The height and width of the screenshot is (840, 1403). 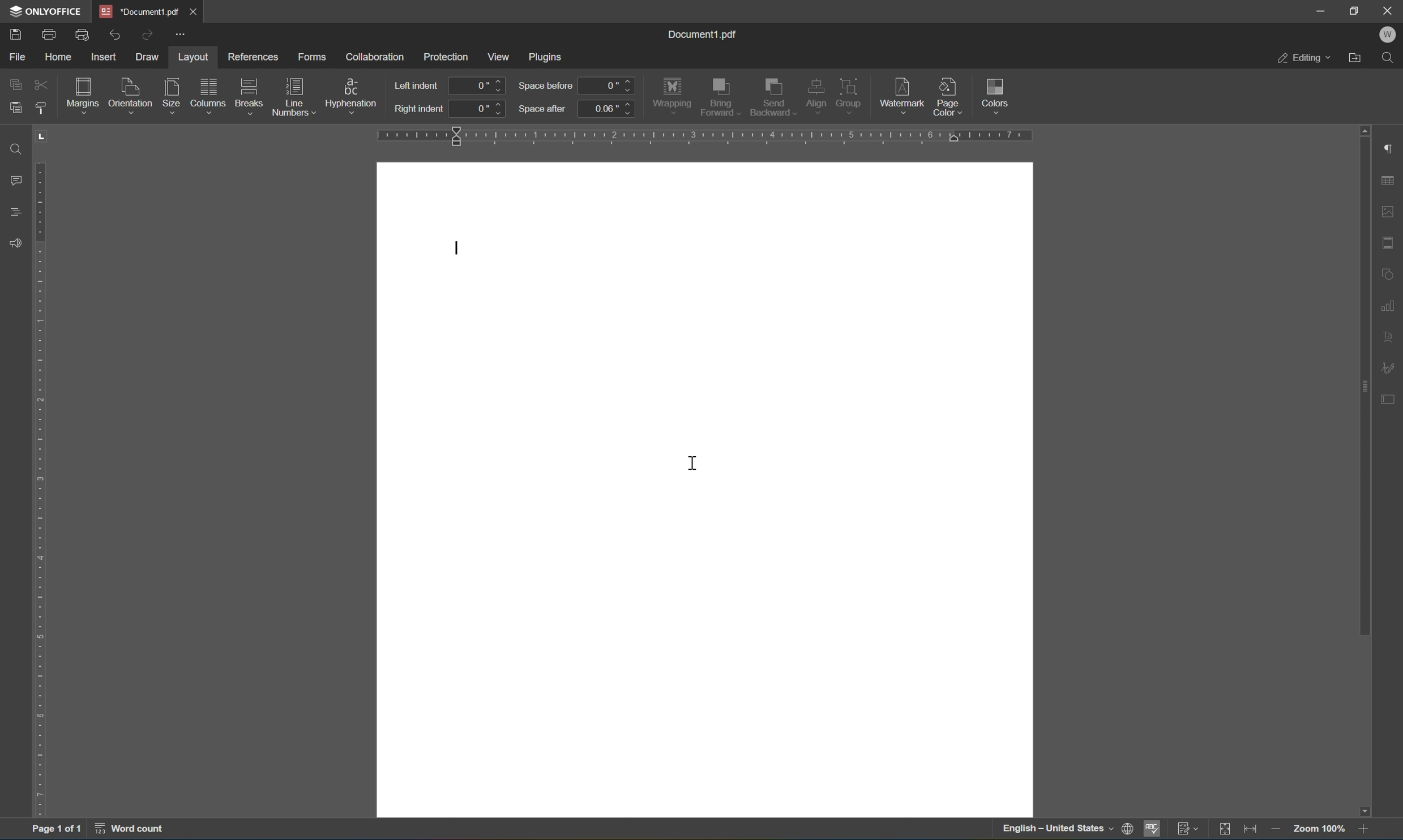 I want to click on size with active cursor, so click(x=170, y=93).